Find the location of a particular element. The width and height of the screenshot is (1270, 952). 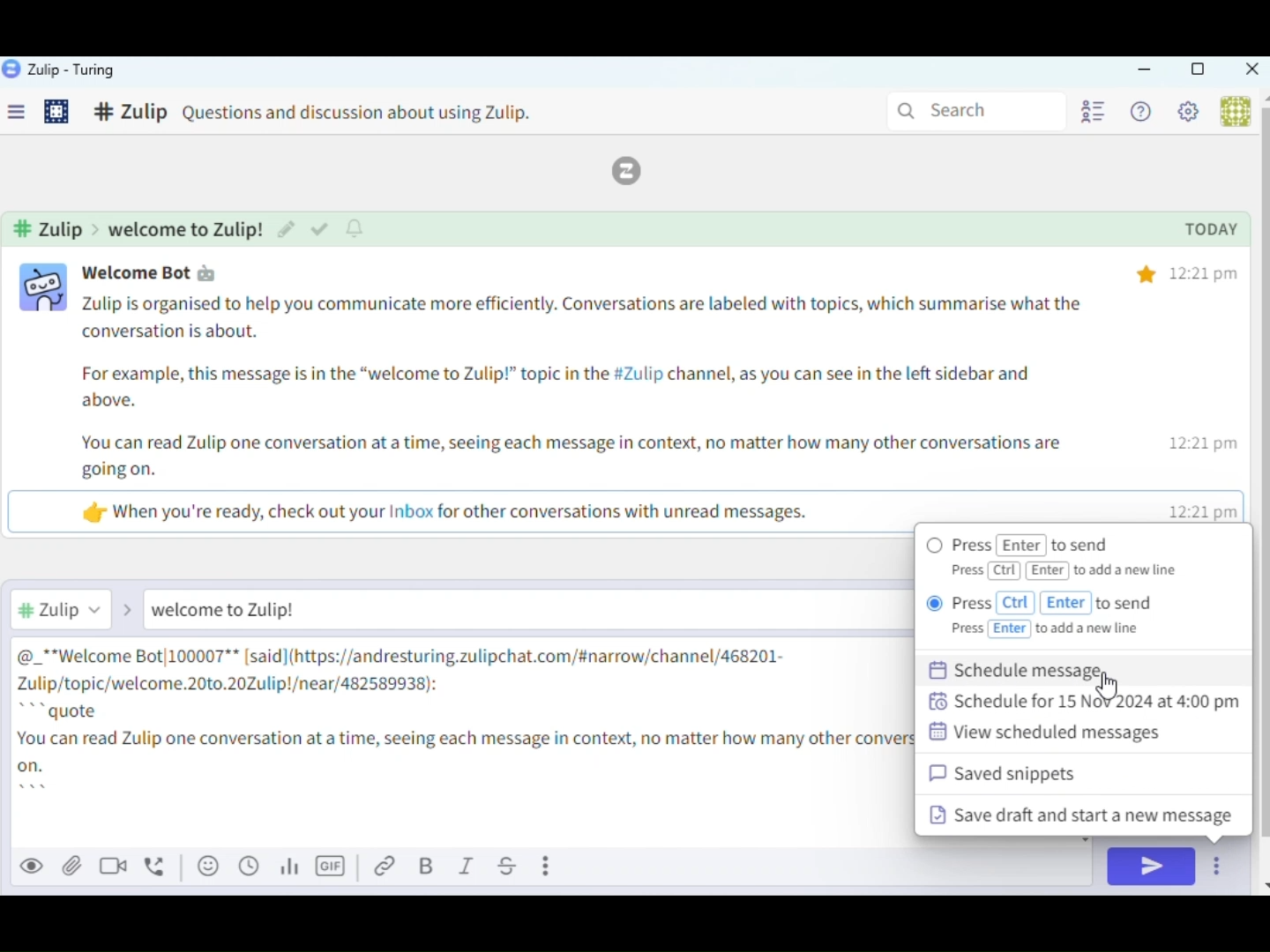

Underline is located at coordinates (509, 866).